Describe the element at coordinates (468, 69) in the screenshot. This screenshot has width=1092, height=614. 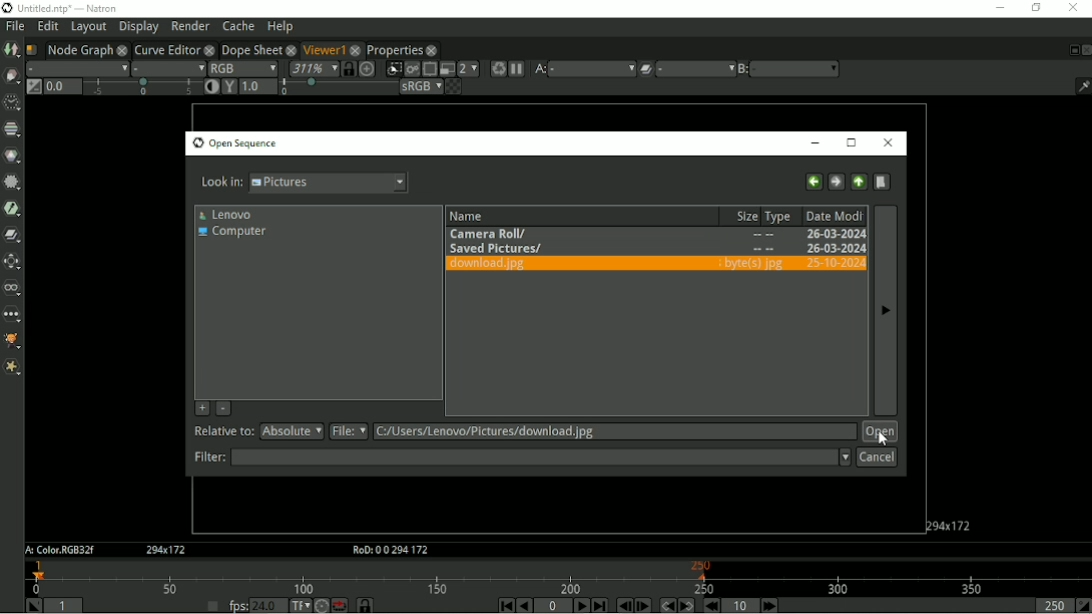
I see `Scales down rendered image` at that location.